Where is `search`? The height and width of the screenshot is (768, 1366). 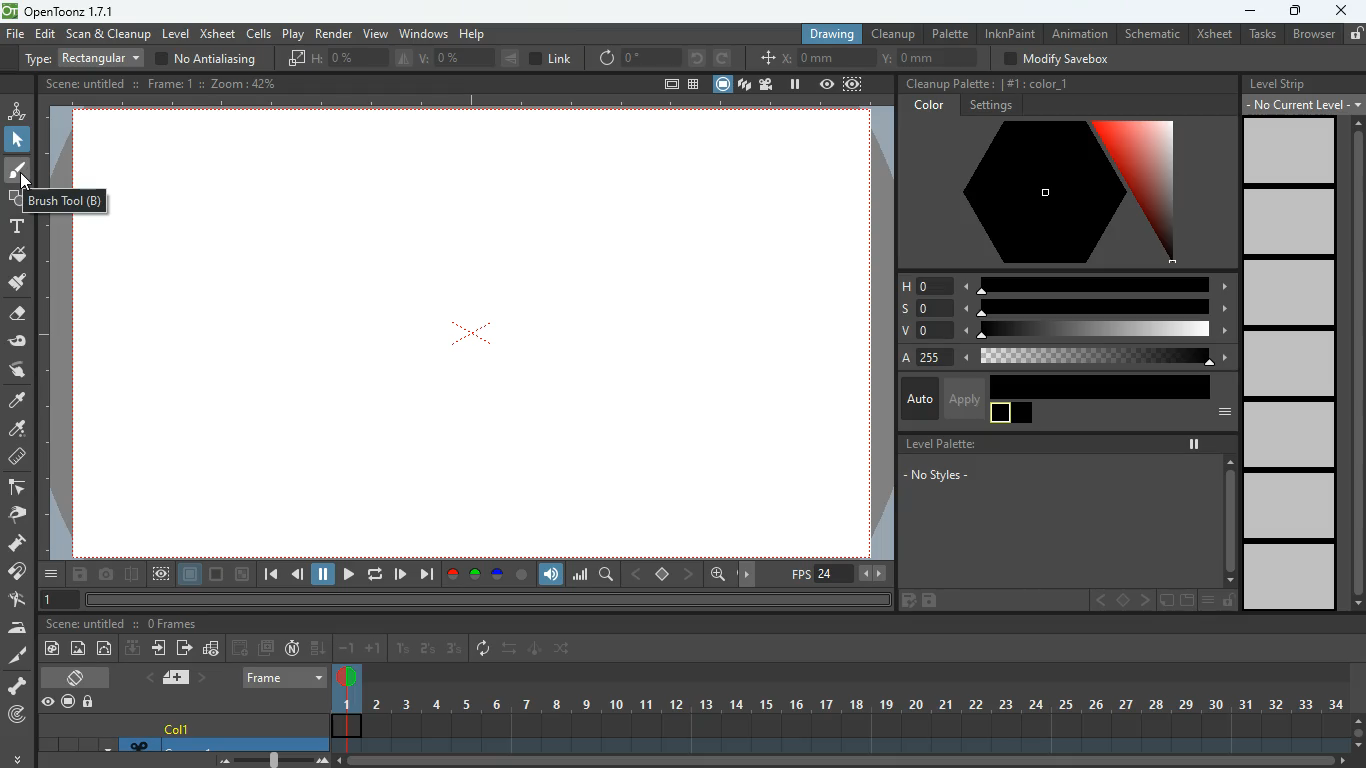
search is located at coordinates (608, 577).